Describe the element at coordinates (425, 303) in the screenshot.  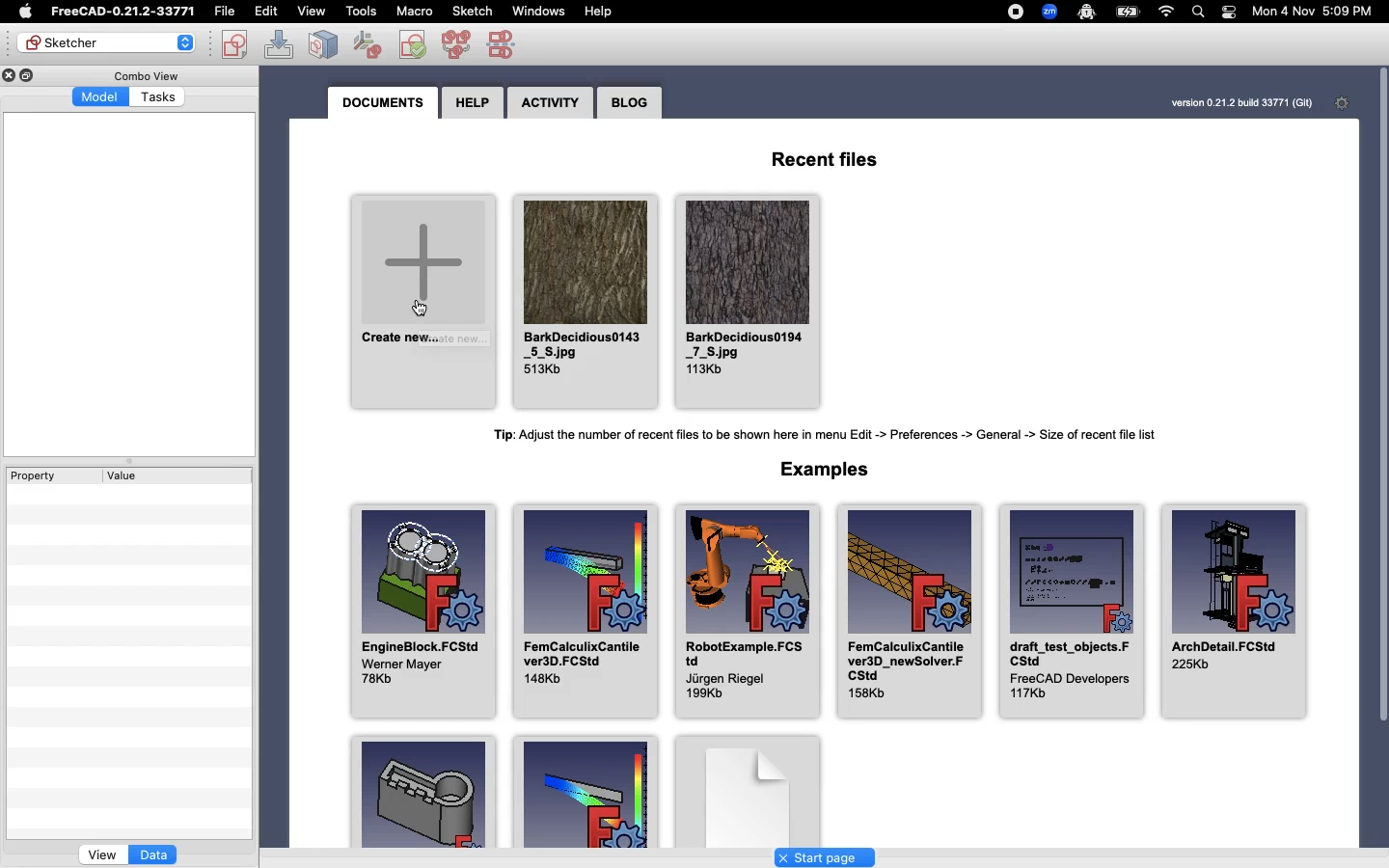
I see `Create new...` at that location.